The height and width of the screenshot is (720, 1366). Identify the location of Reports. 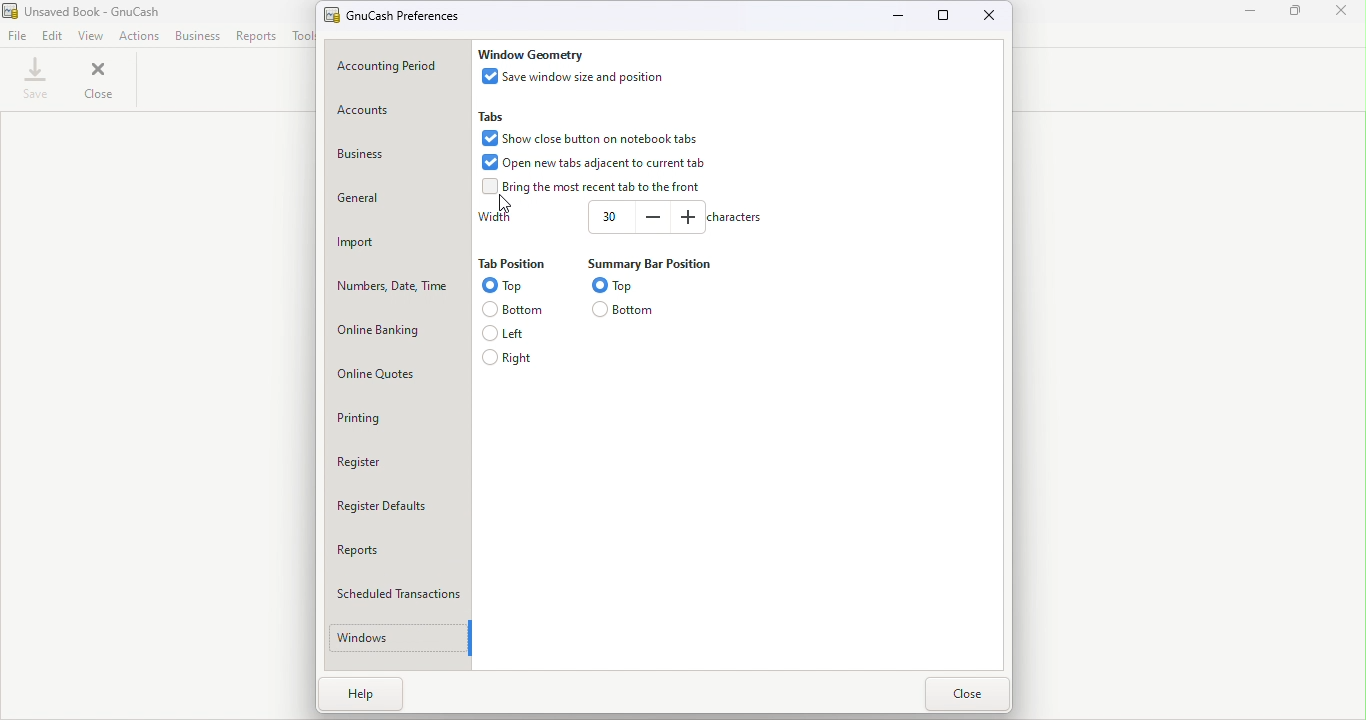
(257, 35).